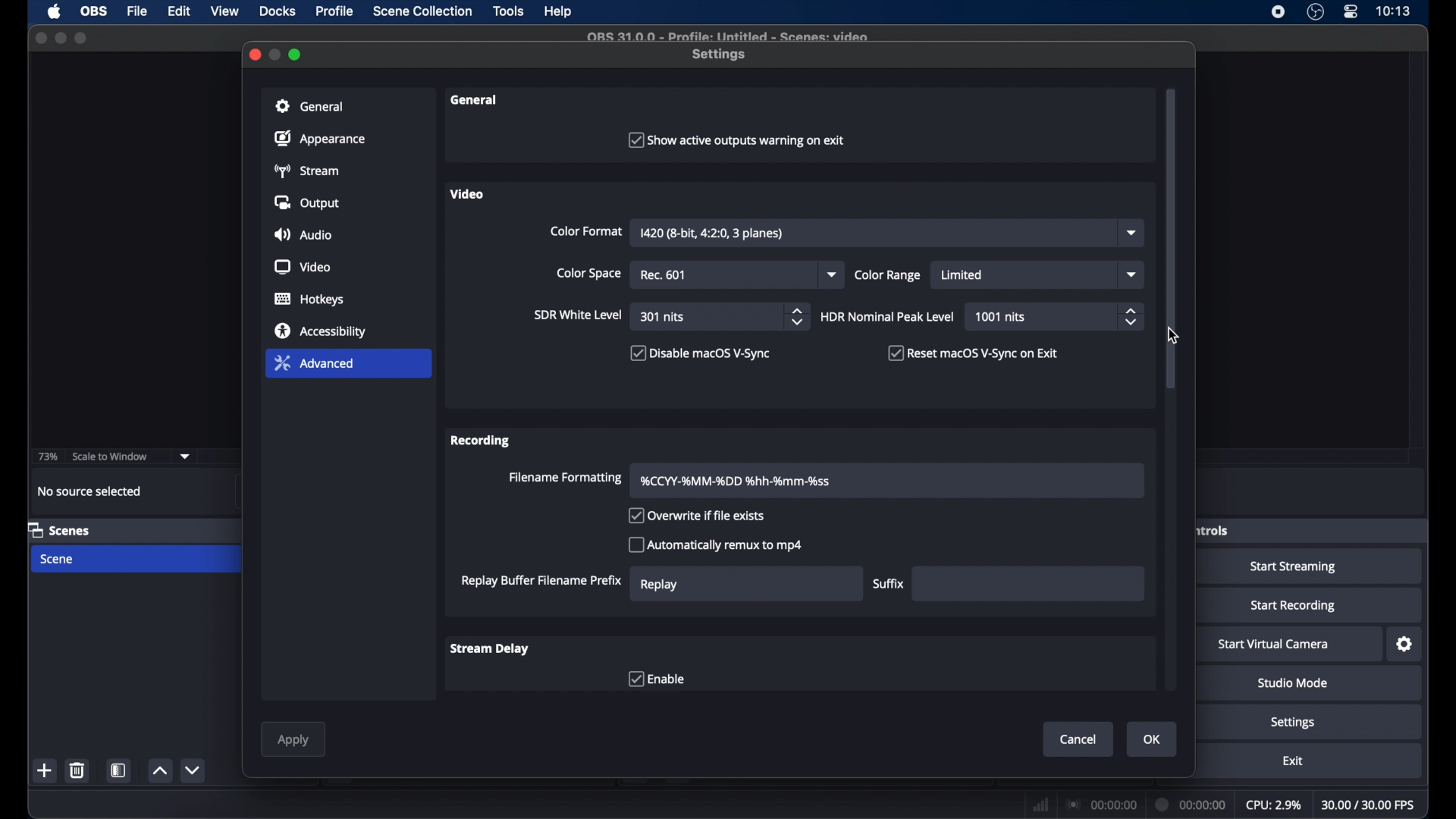 The image size is (1456, 819). I want to click on replay buffer, so click(543, 580).